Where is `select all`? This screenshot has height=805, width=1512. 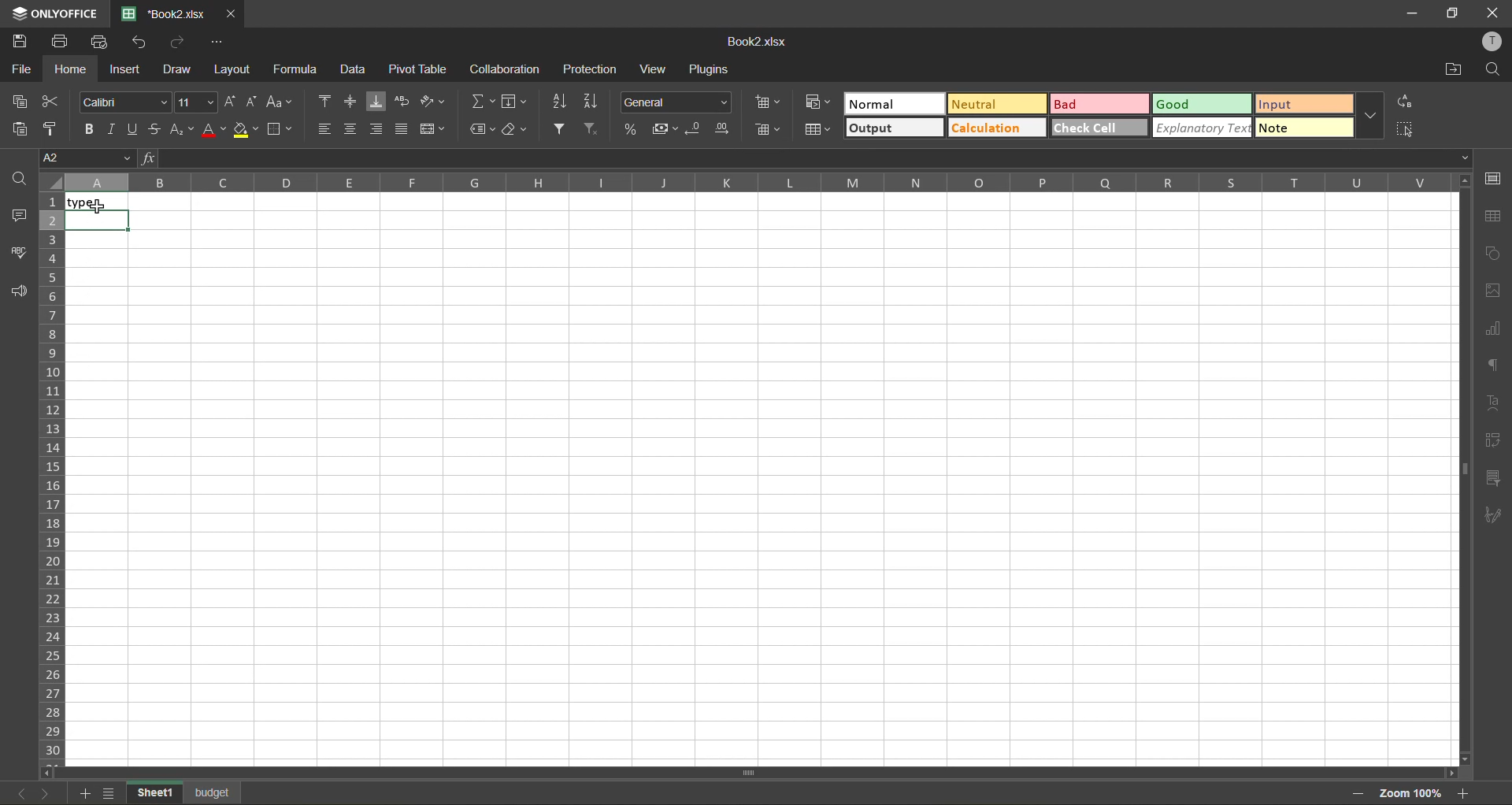 select all is located at coordinates (1406, 131).